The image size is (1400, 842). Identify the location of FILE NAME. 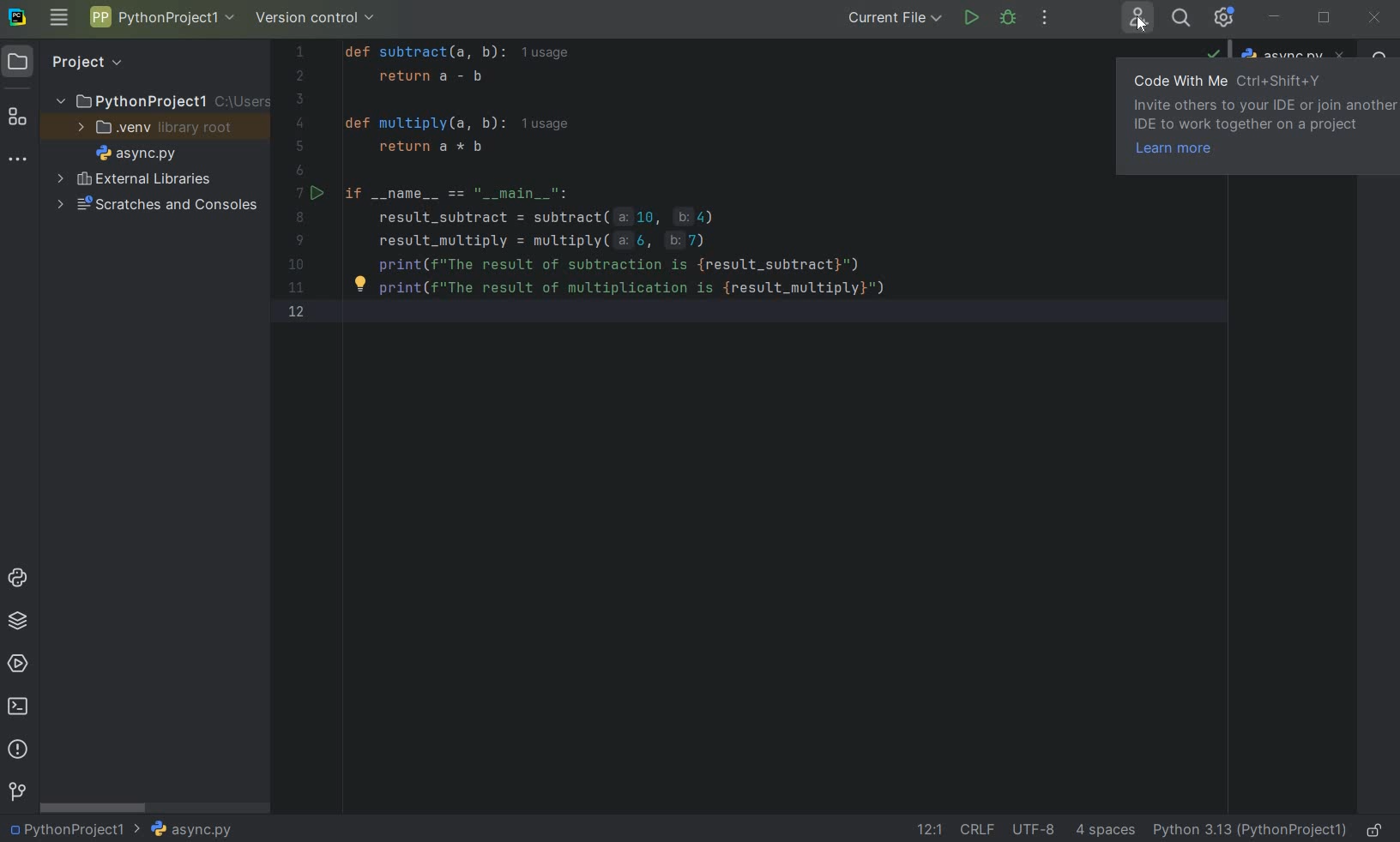
(132, 154).